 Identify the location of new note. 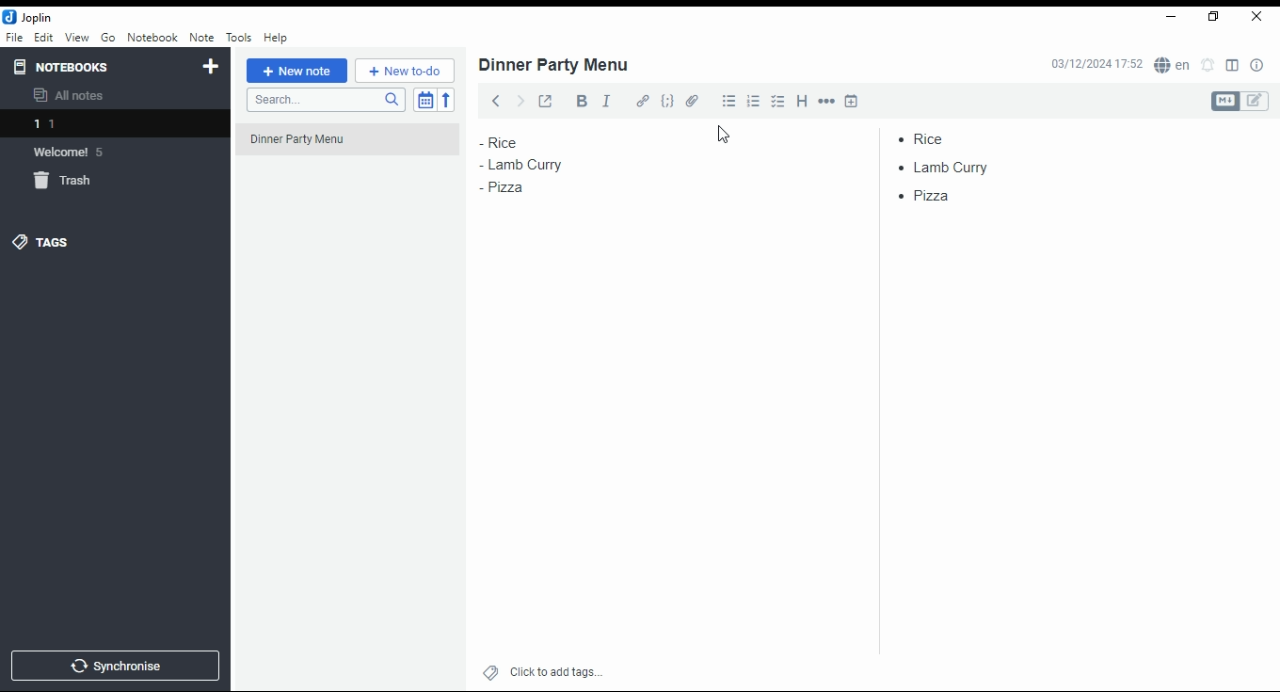
(296, 71).